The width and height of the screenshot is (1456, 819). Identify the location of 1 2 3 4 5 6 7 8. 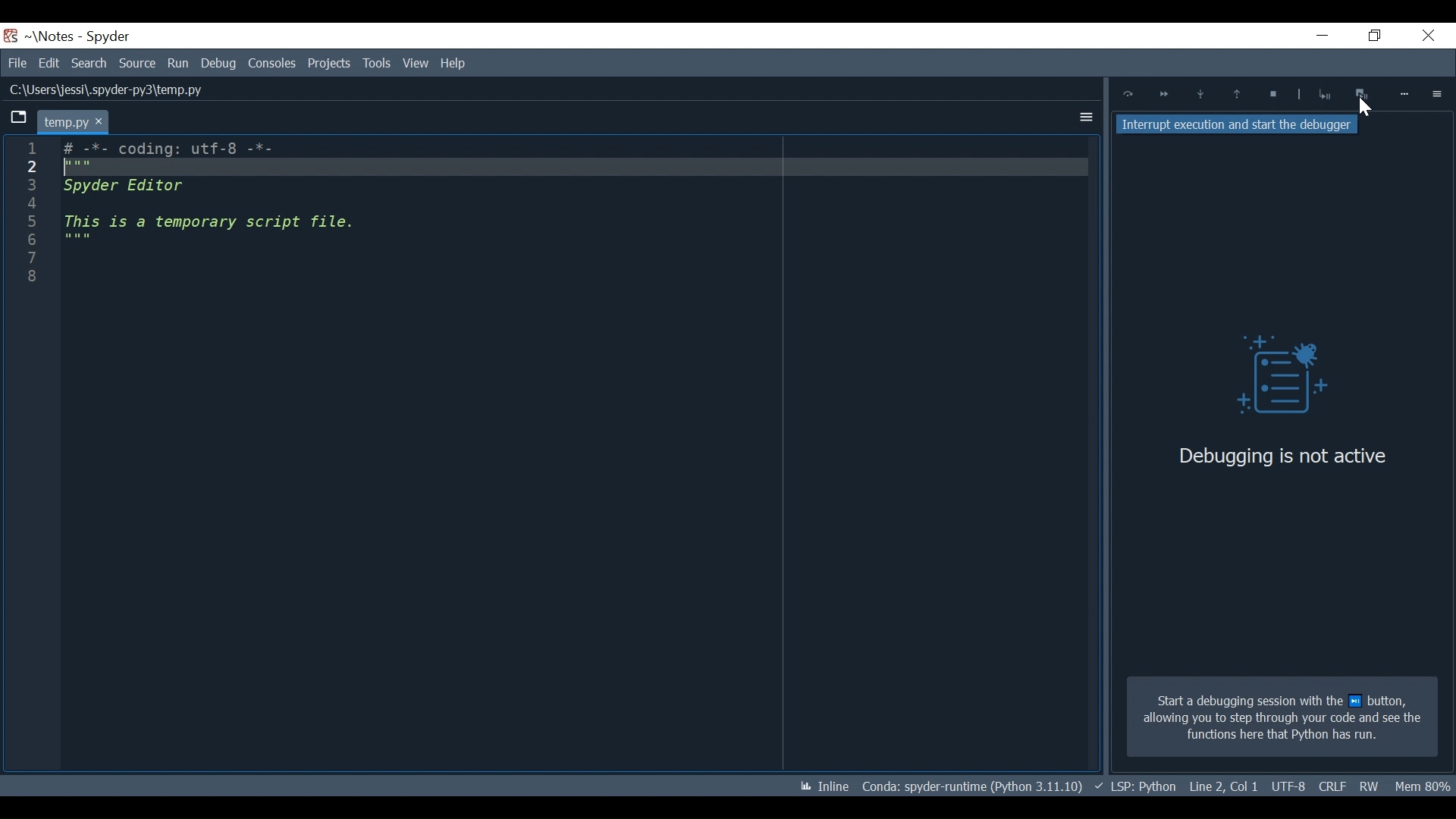
(30, 218).